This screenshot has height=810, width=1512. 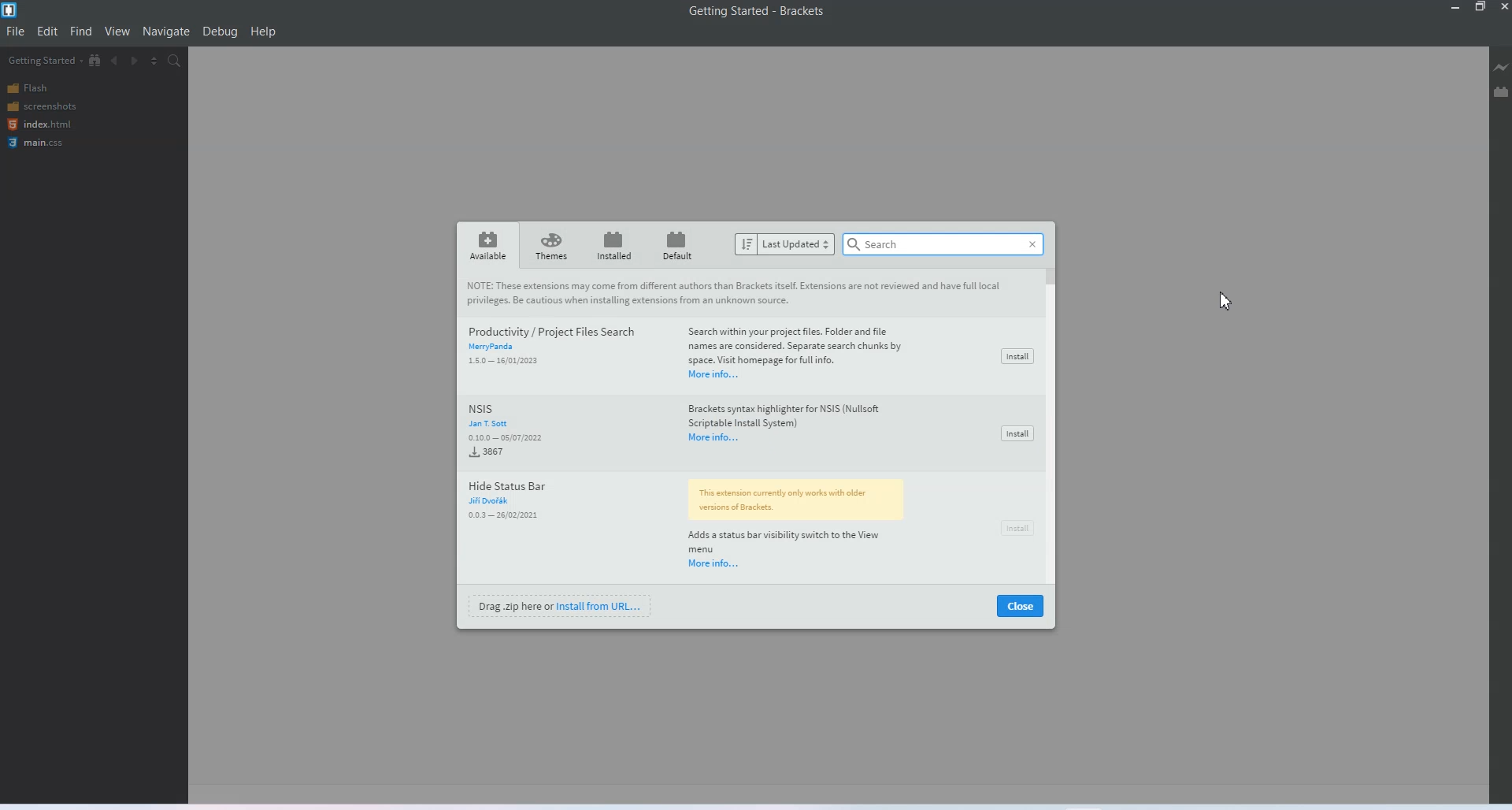 What do you see at coordinates (1018, 355) in the screenshot?
I see `Install` at bounding box center [1018, 355].